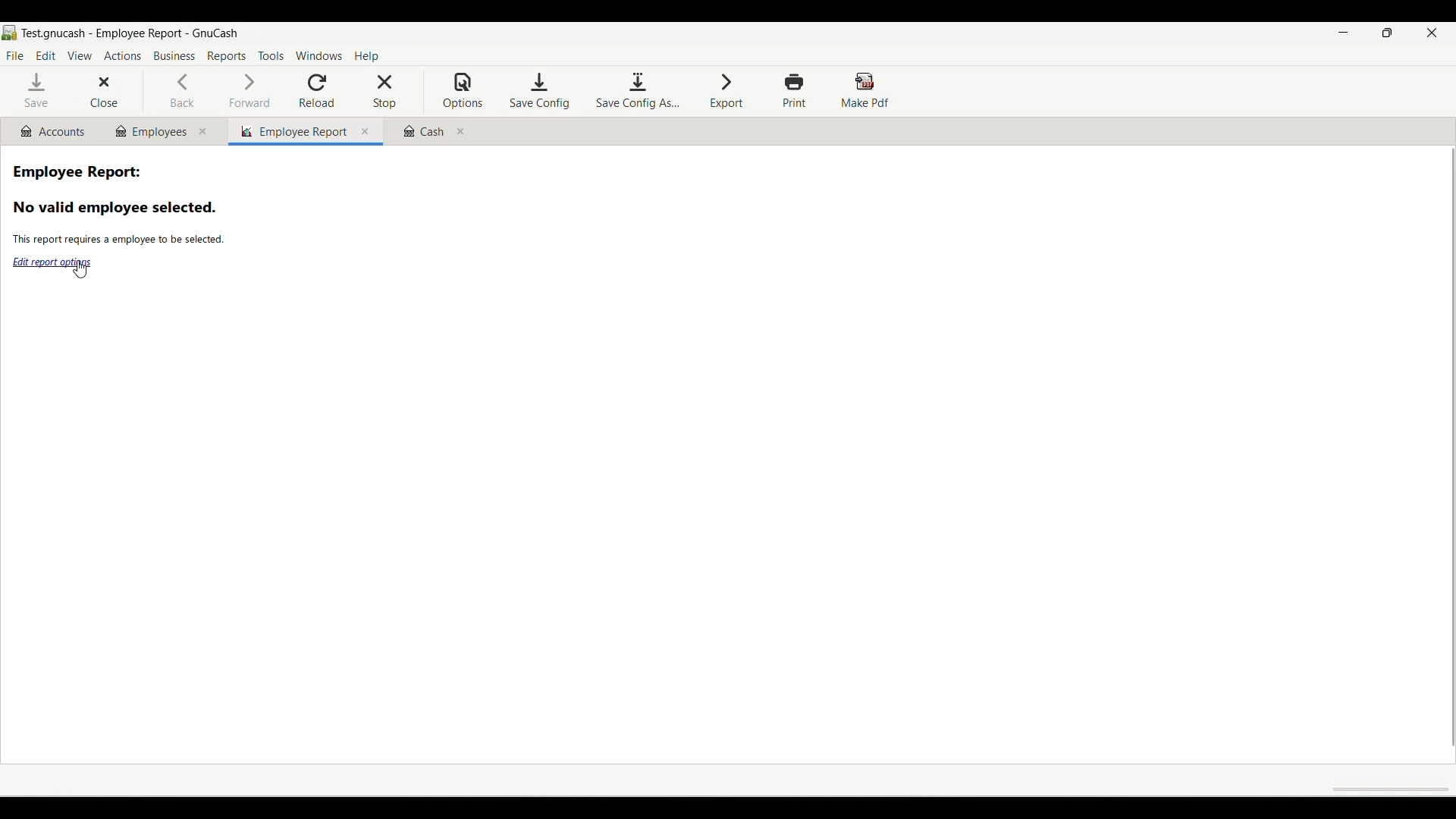  I want to click on Reload, so click(316, 92).